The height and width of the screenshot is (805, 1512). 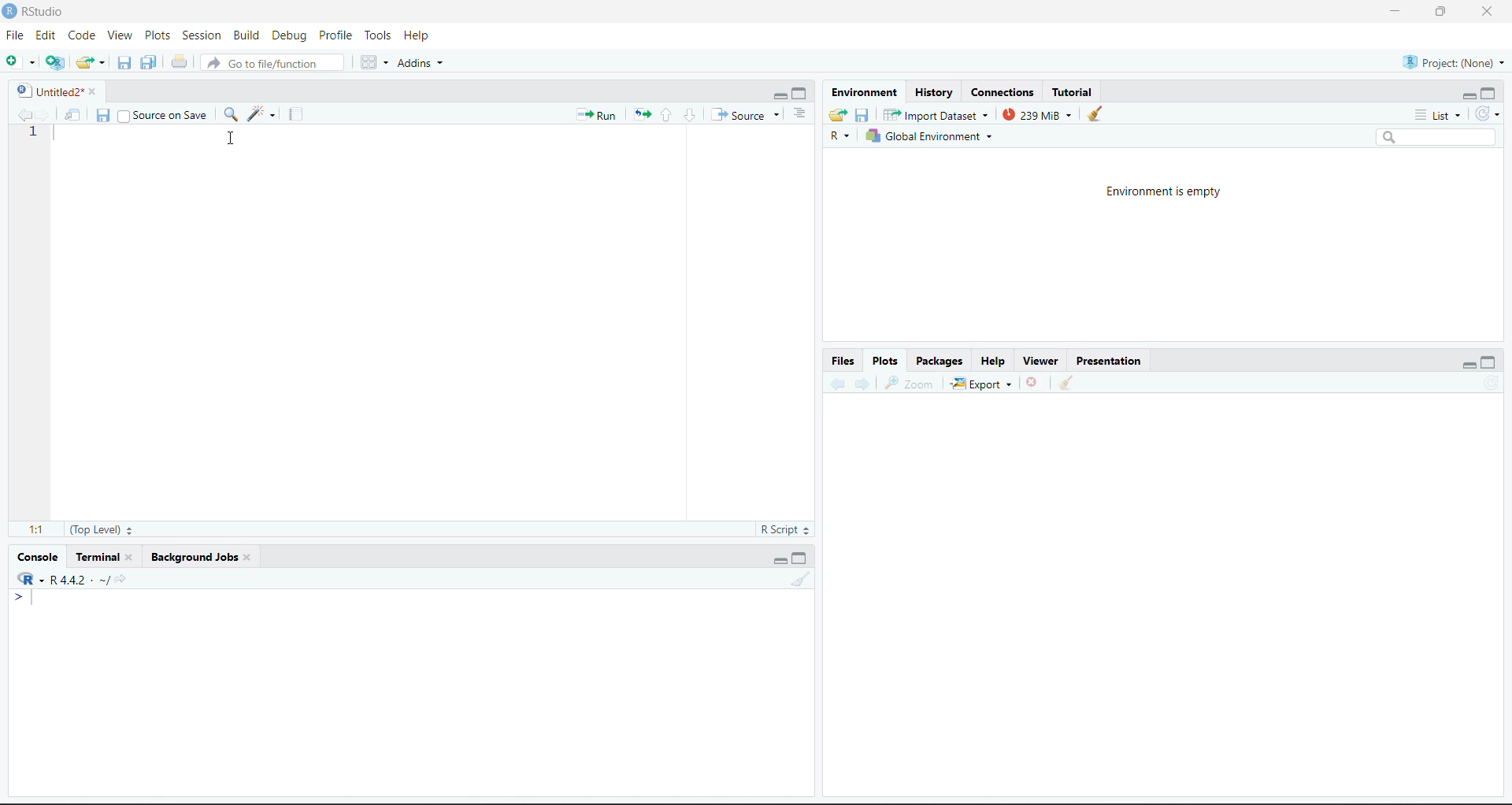 I want to click on Plots, so click(x=887, y=360).